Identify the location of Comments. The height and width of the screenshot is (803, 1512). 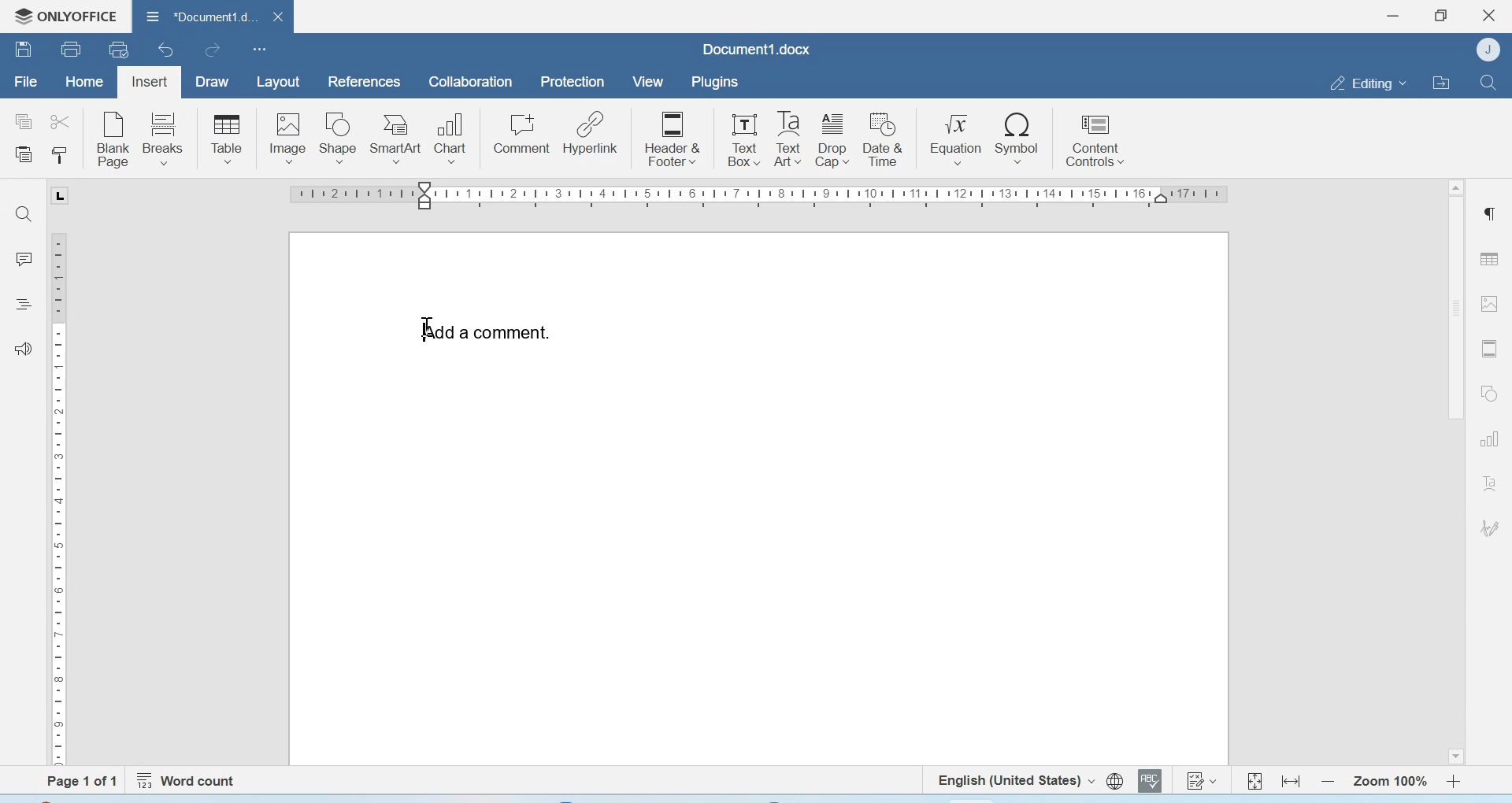
(23, 259).